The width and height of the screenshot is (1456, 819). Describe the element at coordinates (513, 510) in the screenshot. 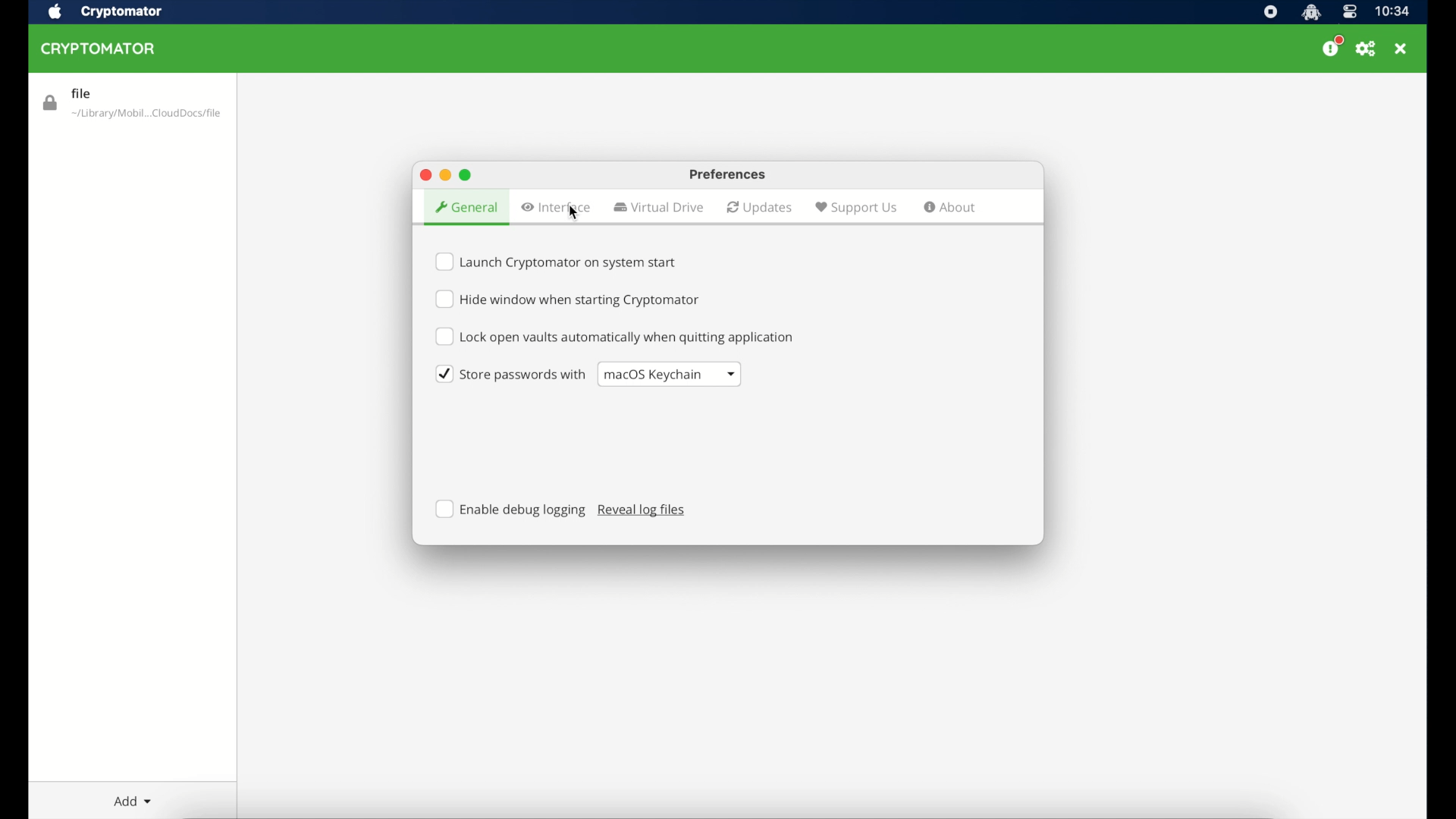

I see `enable debug logging` at that location.